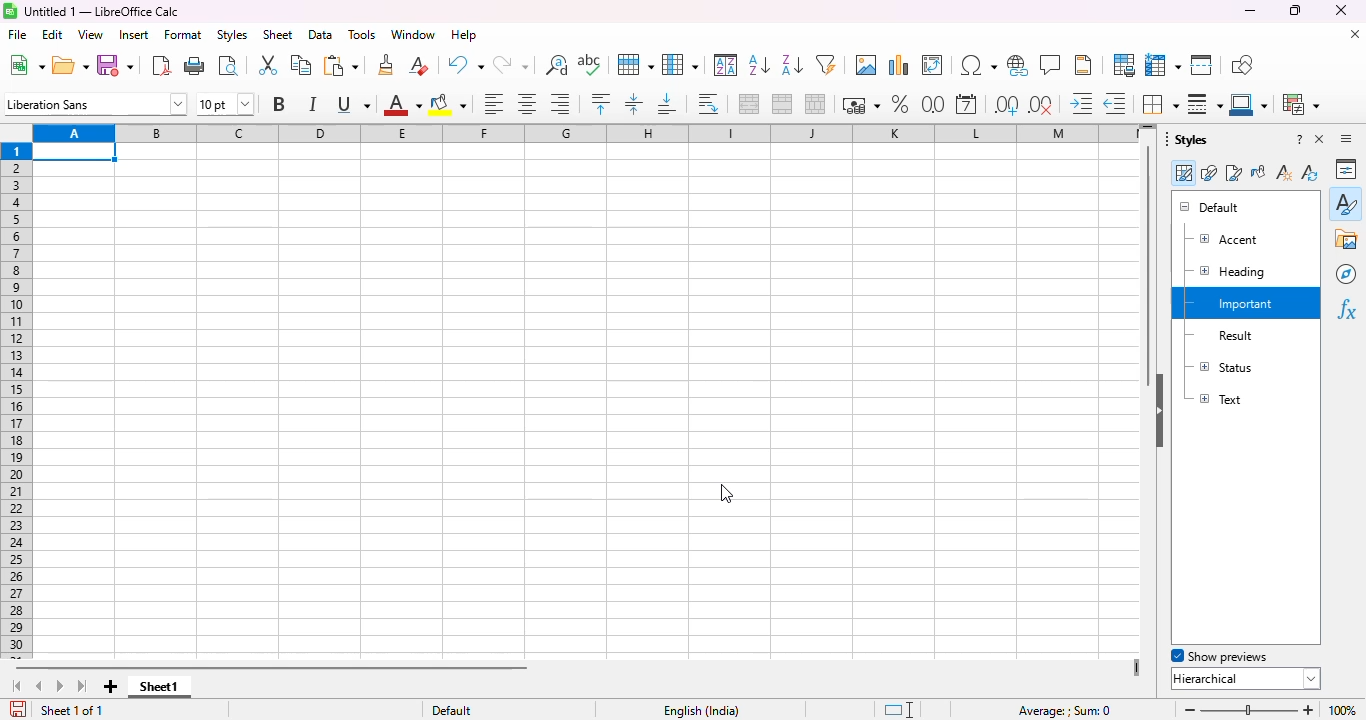  What do you see at coordinates (1347, 169) in the screenshot?
I see `properties` at bounding box center [1347, 169].